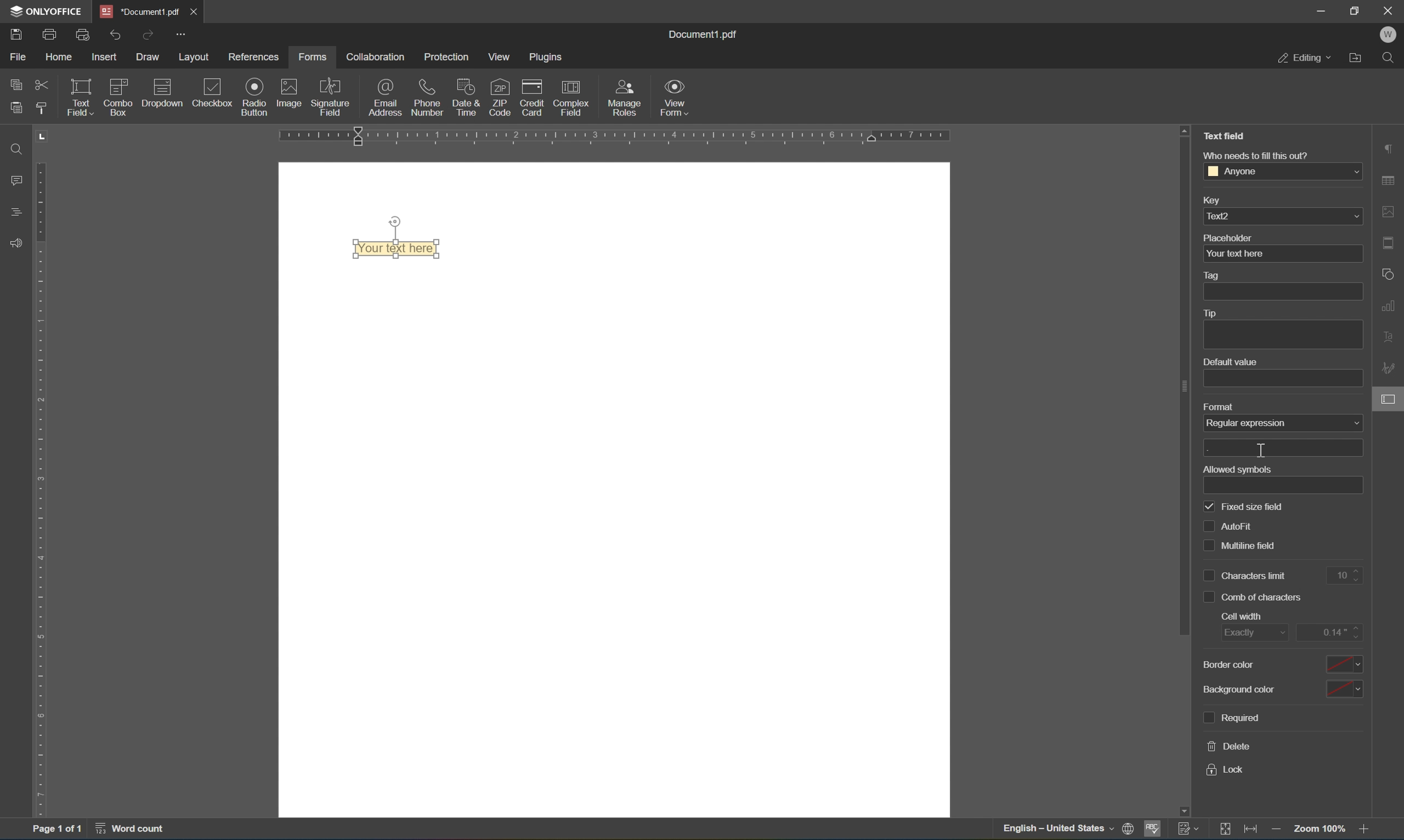  Describe the element at coordinates (1389, 146) in the screenshot. I see `paragraph settings` at that location.